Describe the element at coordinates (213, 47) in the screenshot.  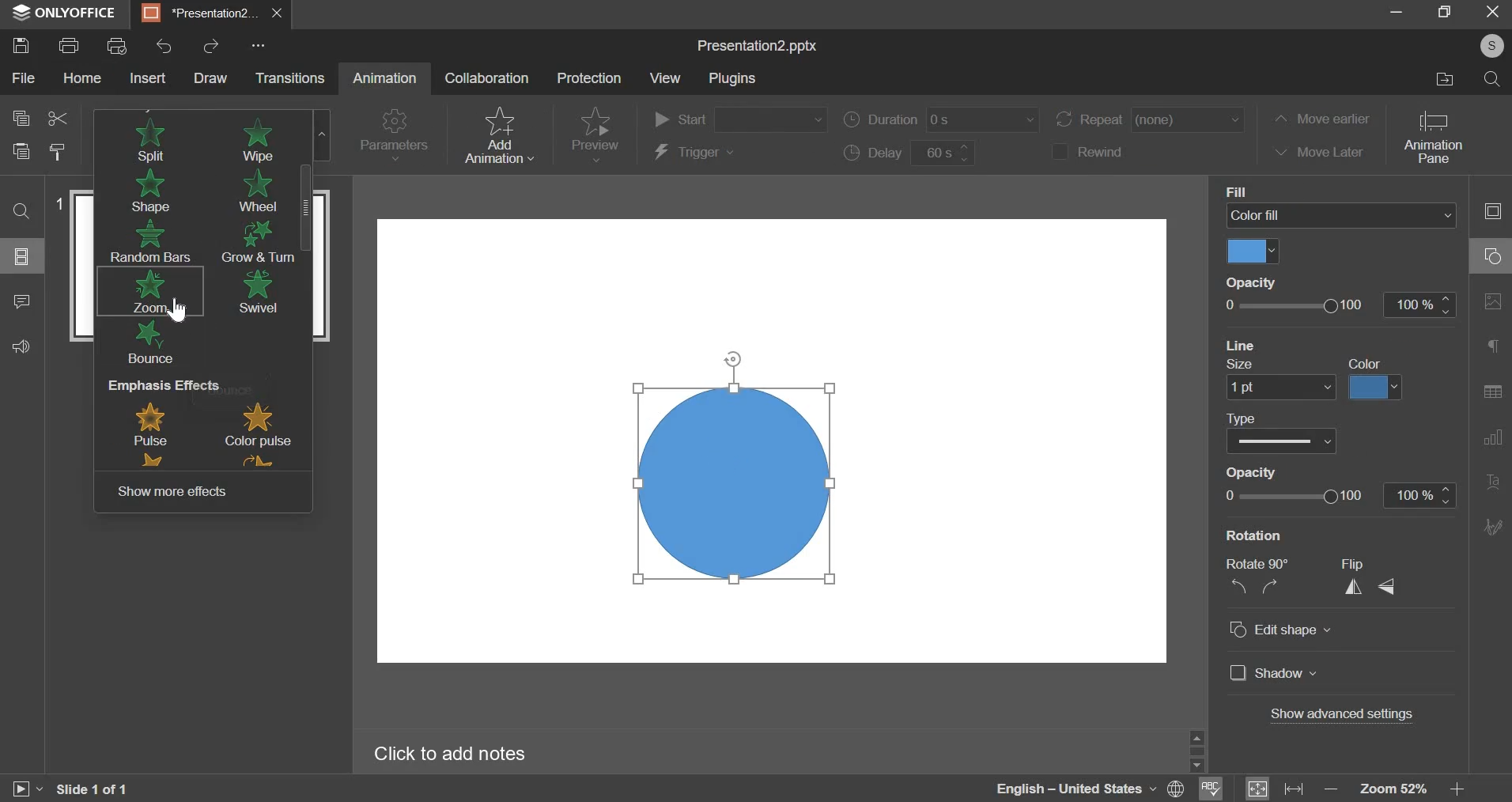
I see `redo` at that location.